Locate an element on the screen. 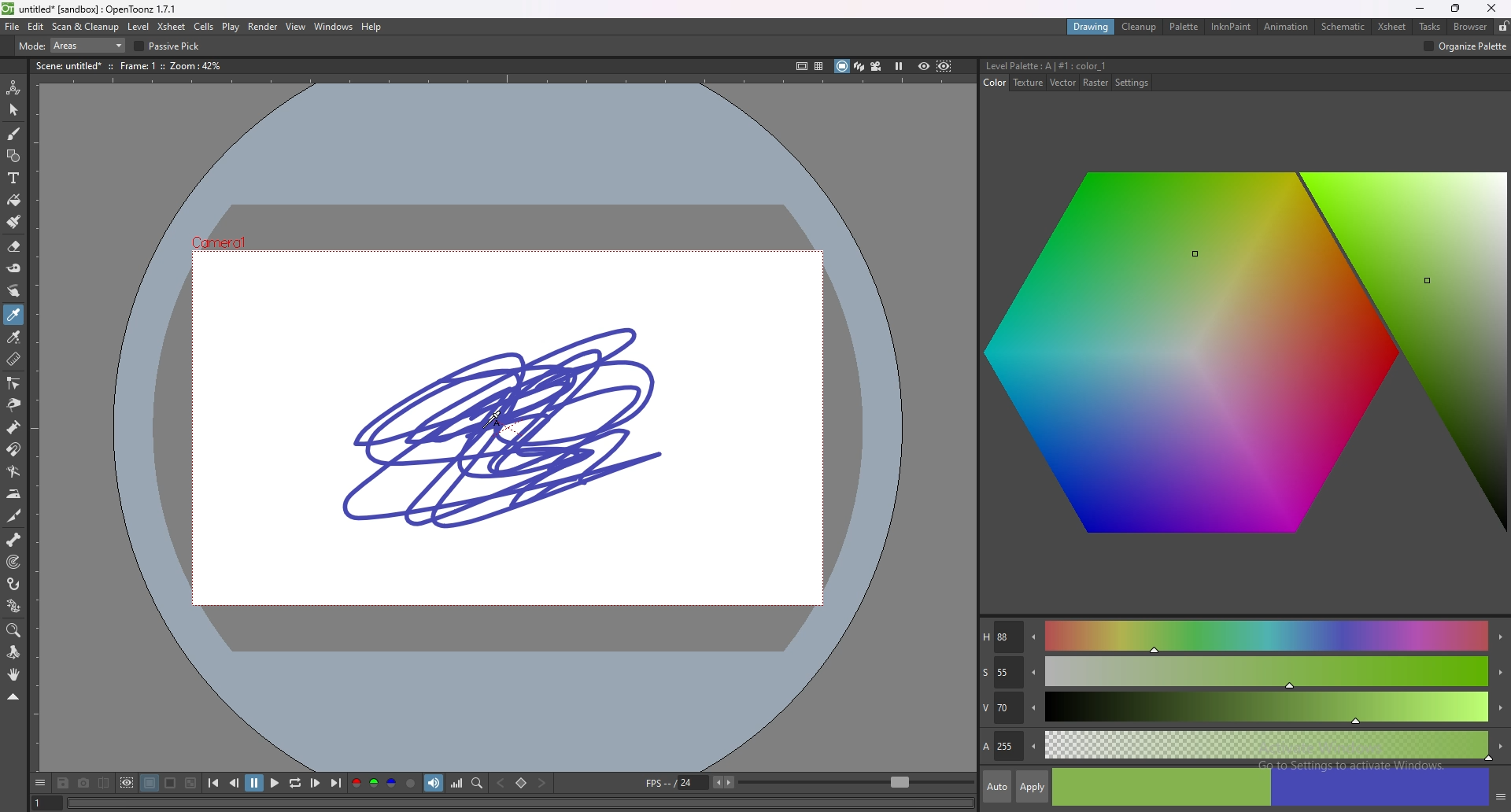 The width and height of the screenshot is (1511, 812). 3d view is located at coordinates (859, 65).